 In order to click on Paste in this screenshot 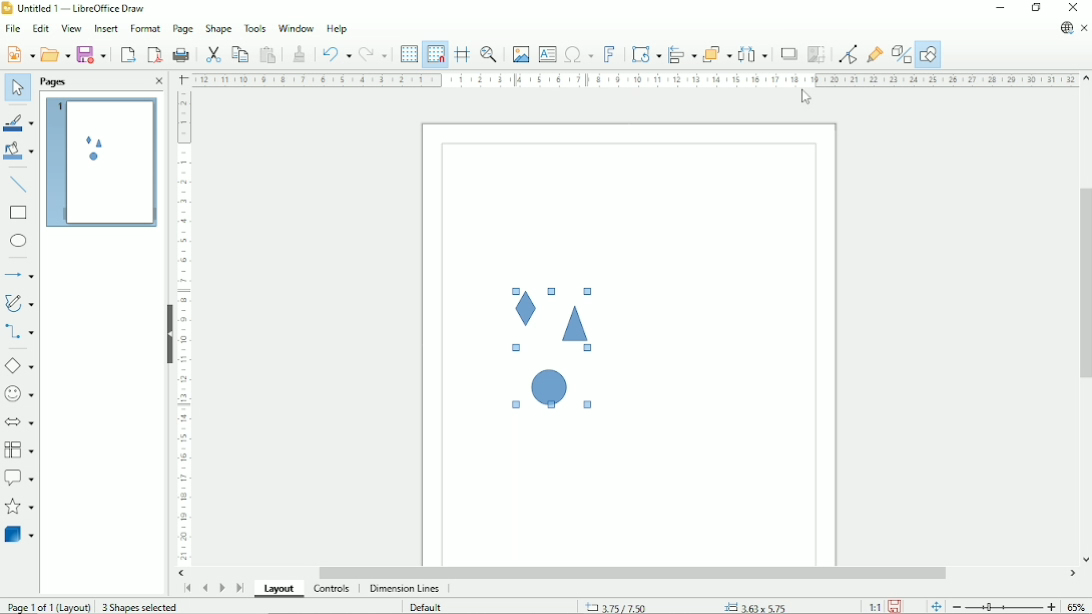, I will do `click(268, 53)`.